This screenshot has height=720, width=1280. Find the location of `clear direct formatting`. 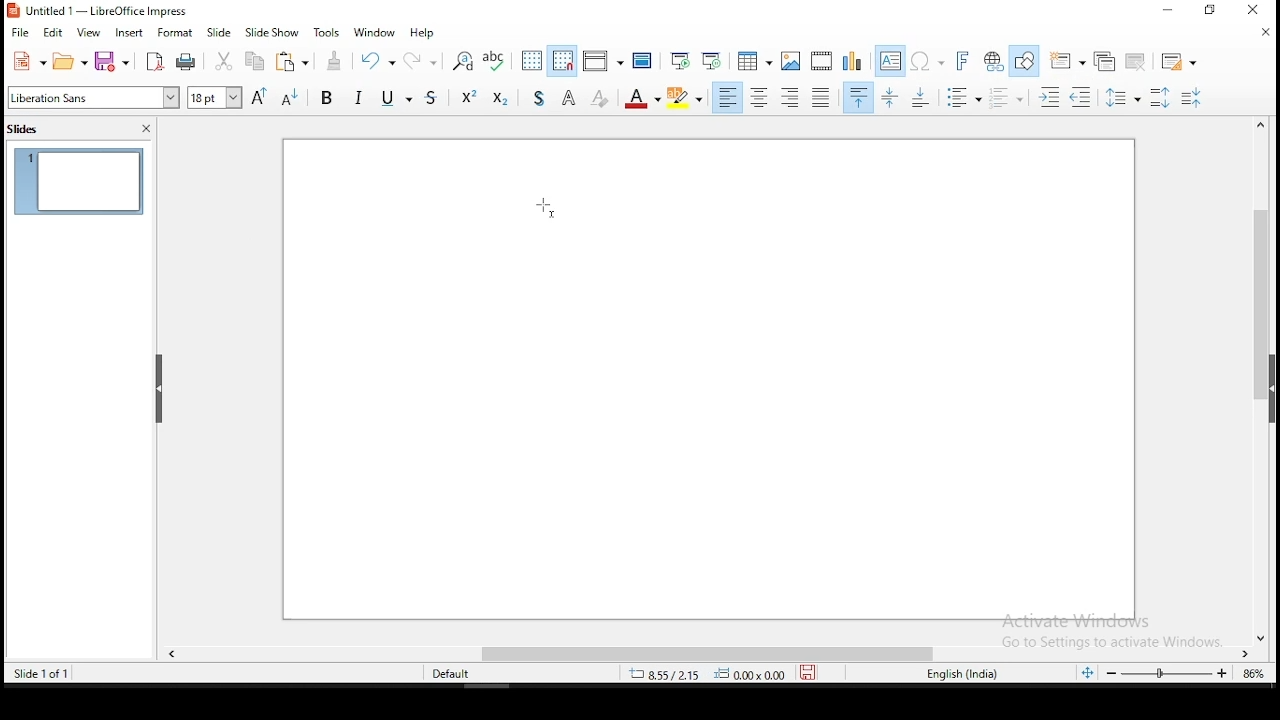

clear direct formatting is located at coordinates (599, 99).